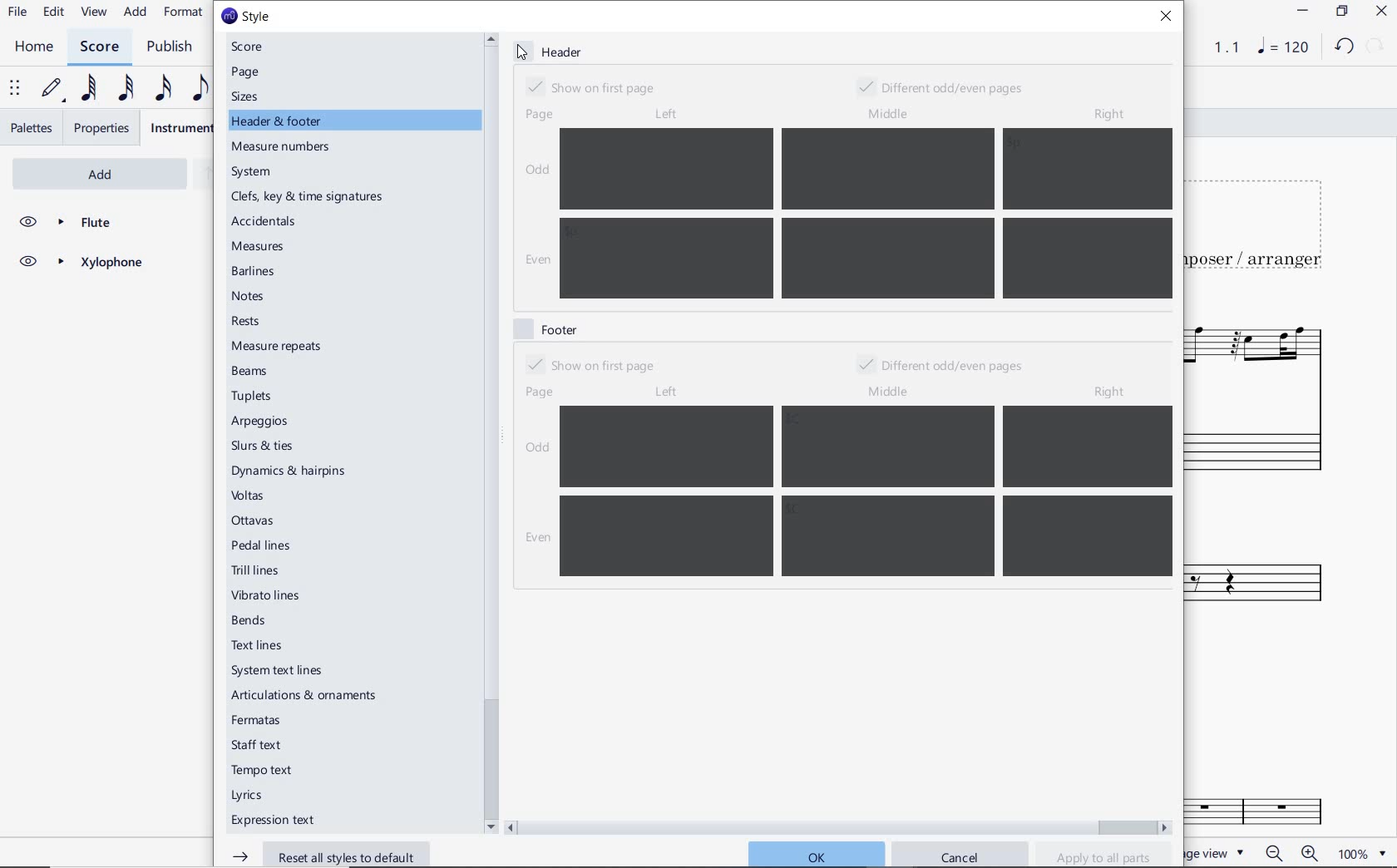 This screenshot has height=868, width=1397. Describe the element at coordinates (275, 821) in the screenshot. I see `expression text` at that location.